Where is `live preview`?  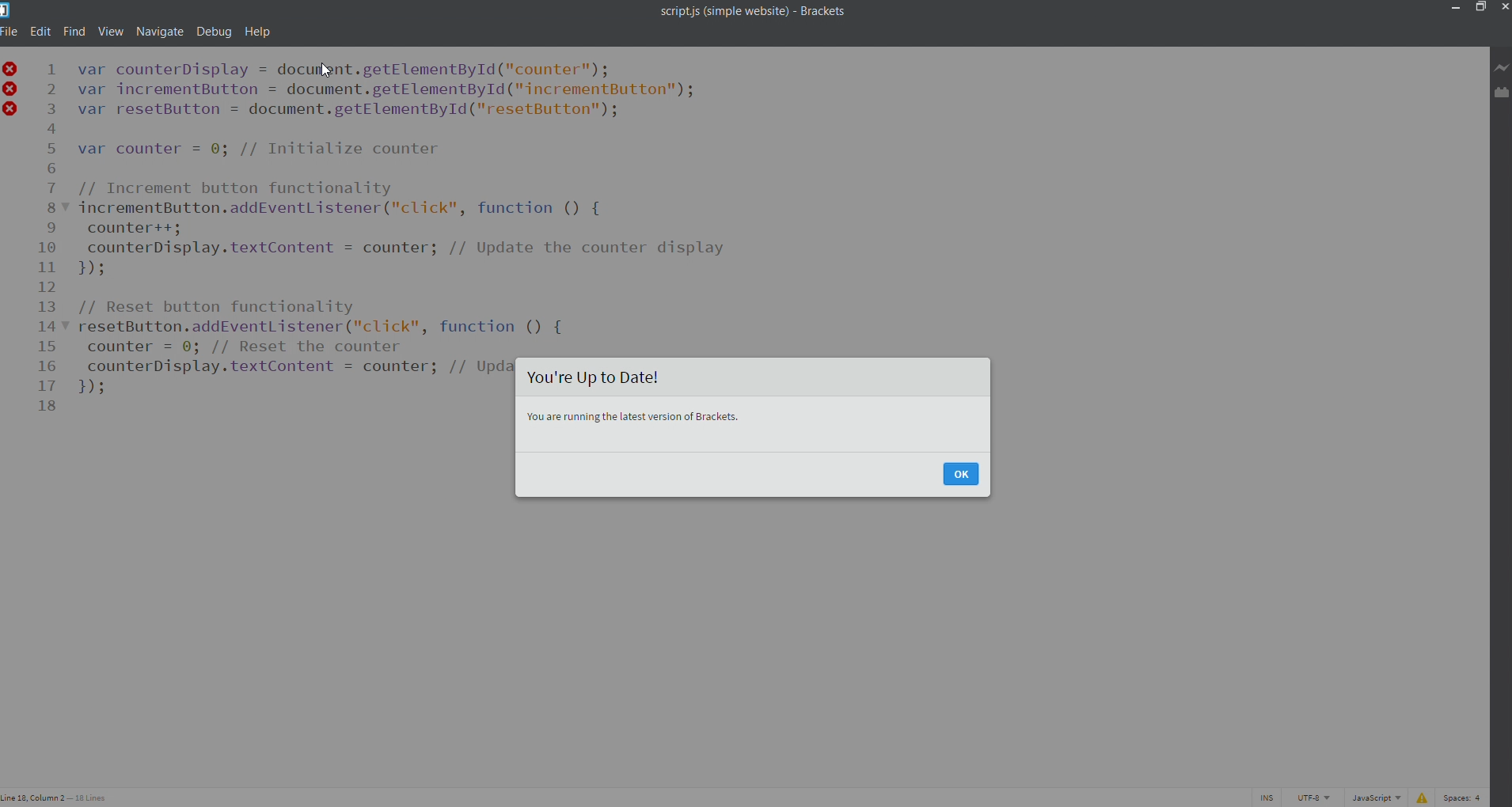 live preview is located at coordinates (1503, 66).